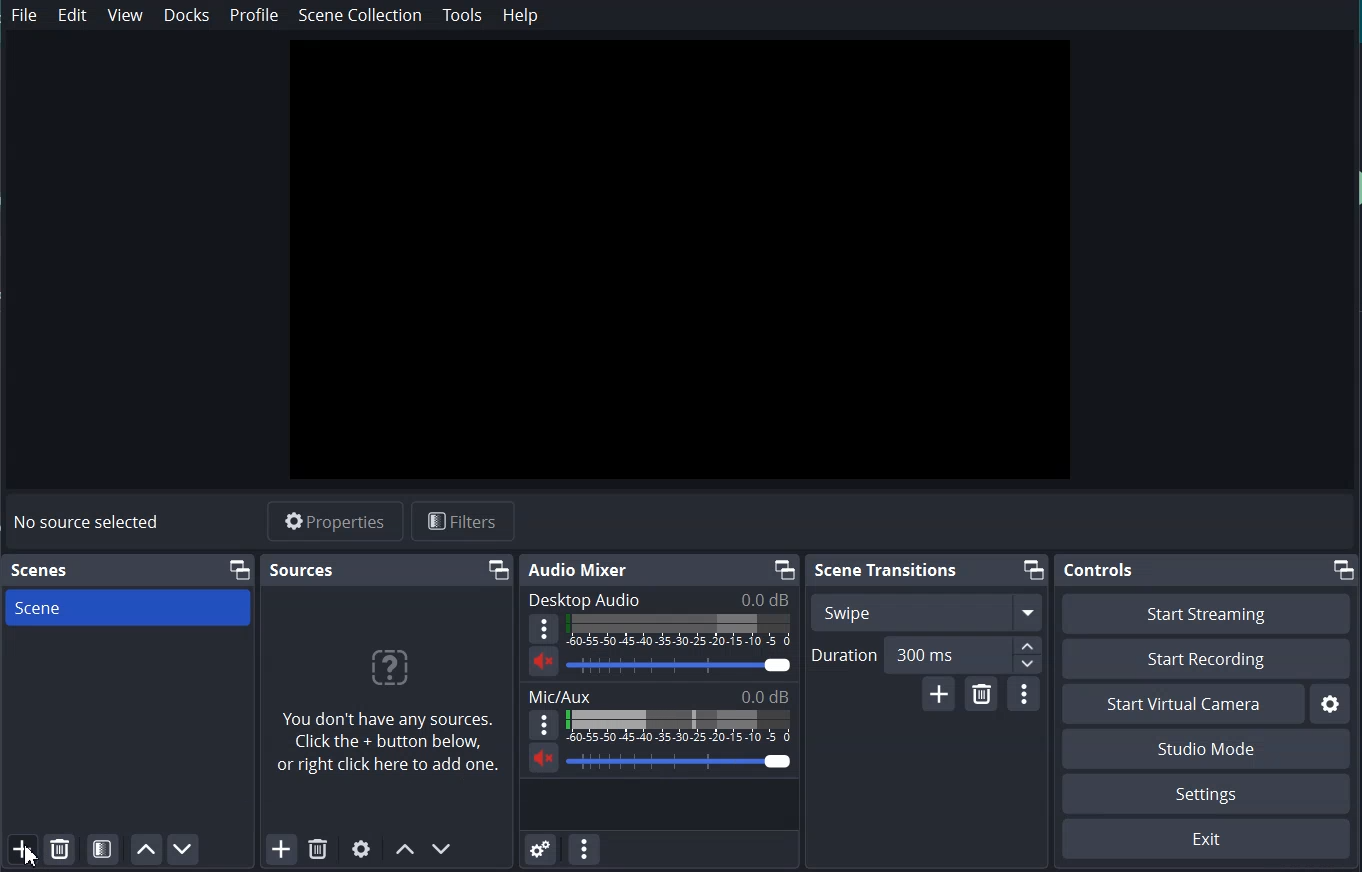  Describe the element at coordinates (1183, 704) in the screenshot. I see `Start Virtual Camera` at that location.